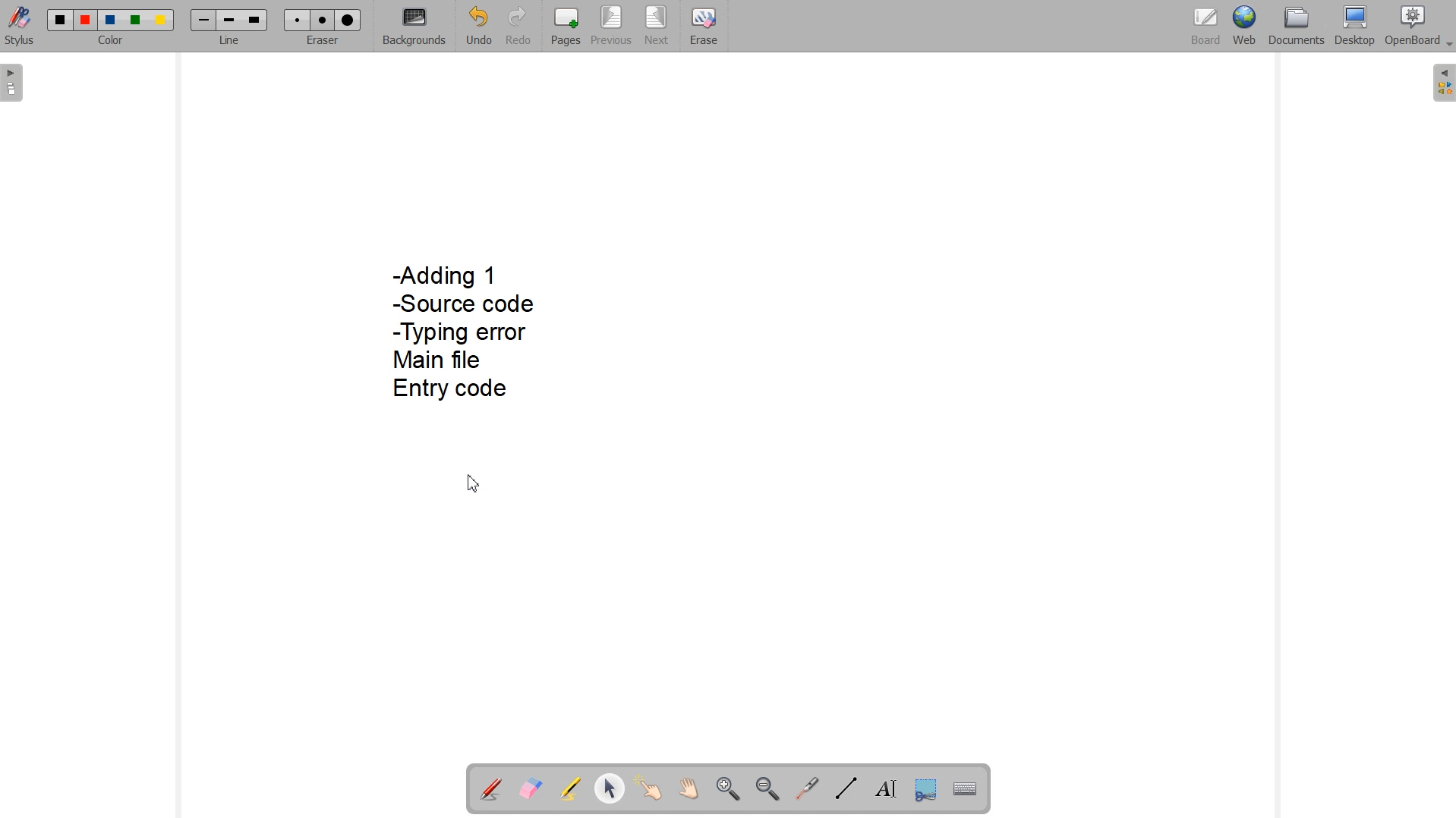 The height and width of the screenshot is (818, 1456). What do you see at coordinates (473, 484) in the screenshot?
I see `Cursor` at bounding box center [473, 484].